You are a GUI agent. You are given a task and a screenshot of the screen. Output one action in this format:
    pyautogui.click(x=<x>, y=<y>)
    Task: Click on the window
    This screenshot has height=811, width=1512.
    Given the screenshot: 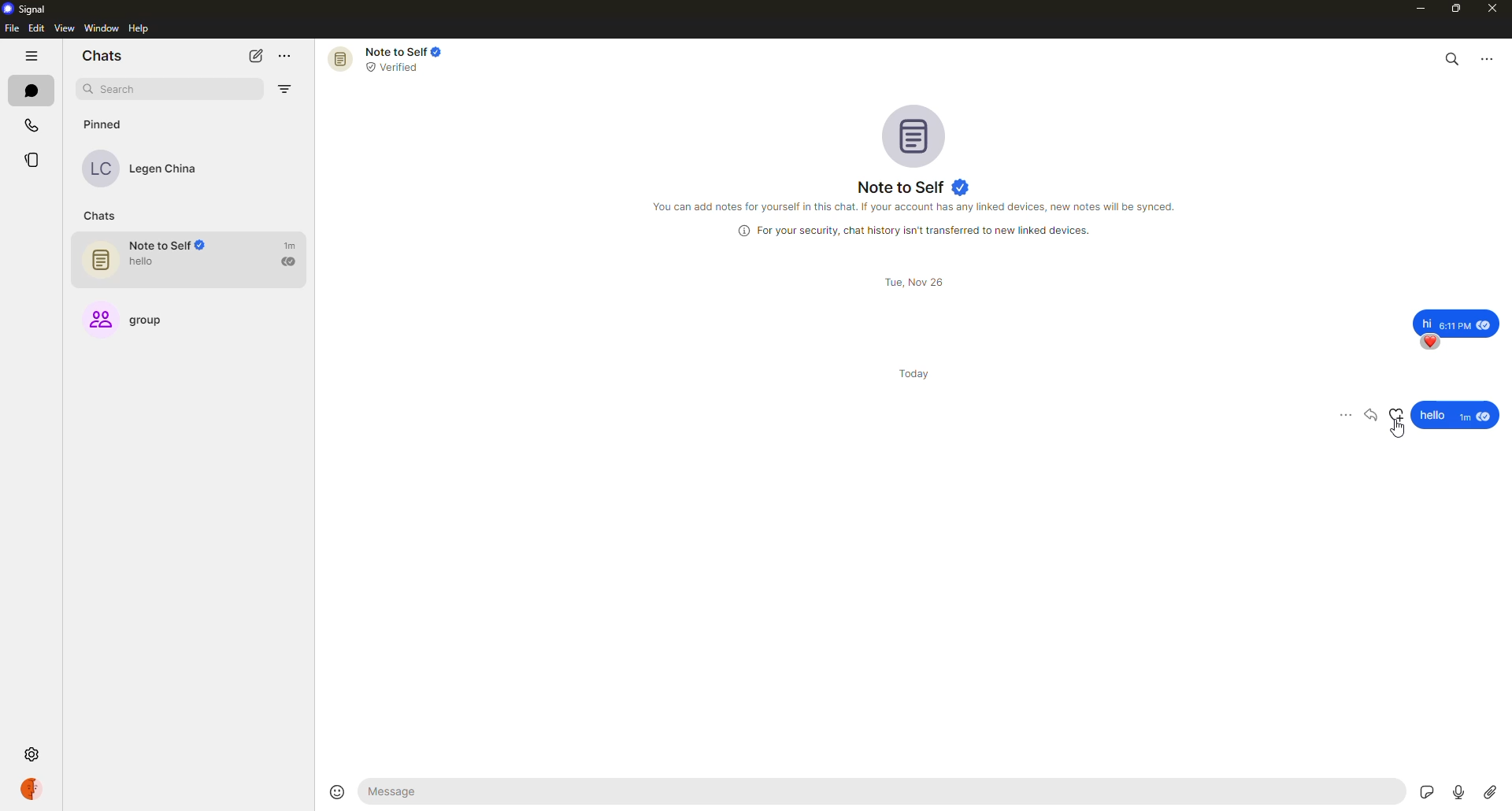 What is the action you would take?
    pyautogui.click(x=103, y=28)
    